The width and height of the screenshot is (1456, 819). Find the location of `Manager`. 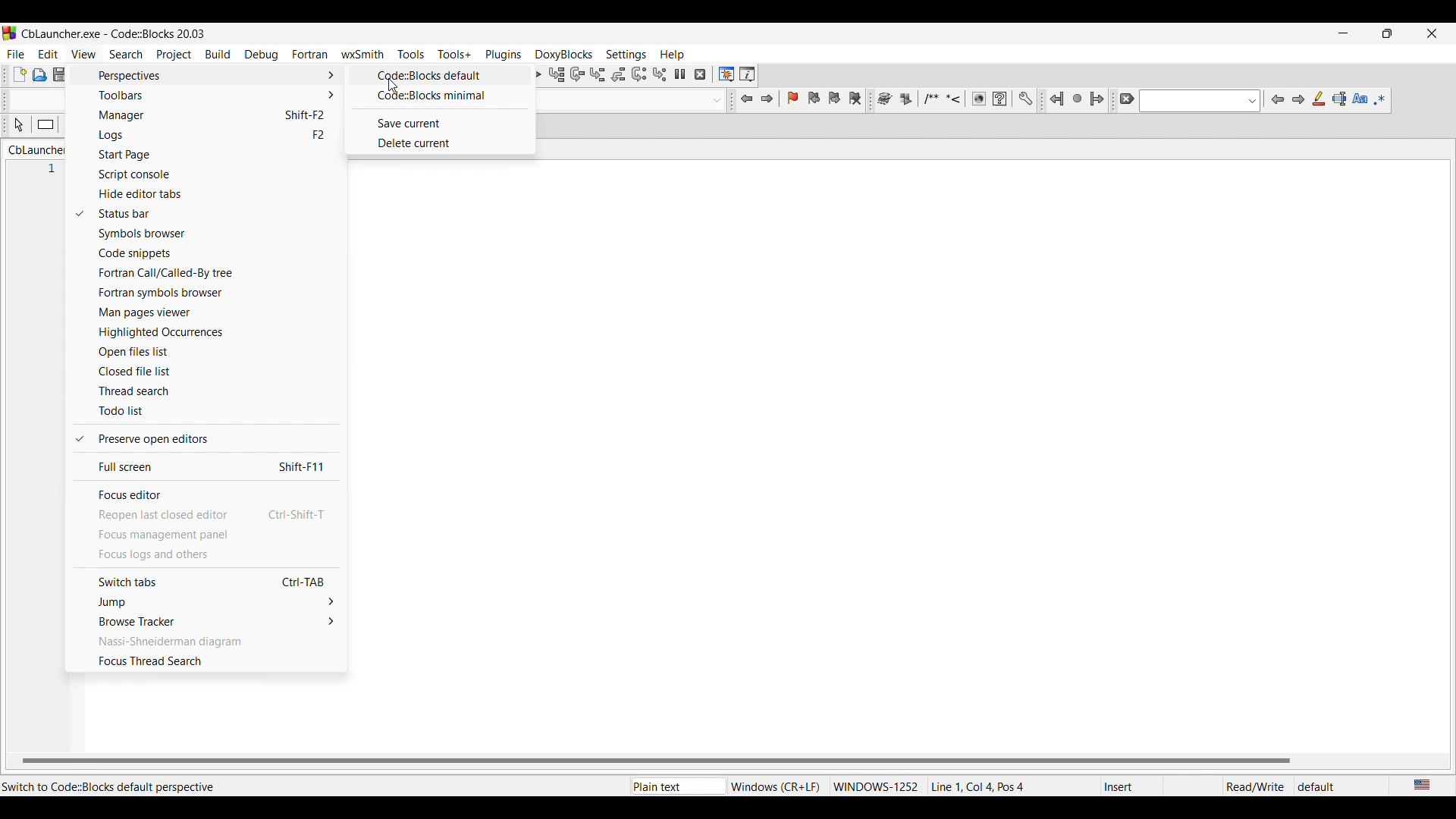

Manager is located at coordinates (216, 115).